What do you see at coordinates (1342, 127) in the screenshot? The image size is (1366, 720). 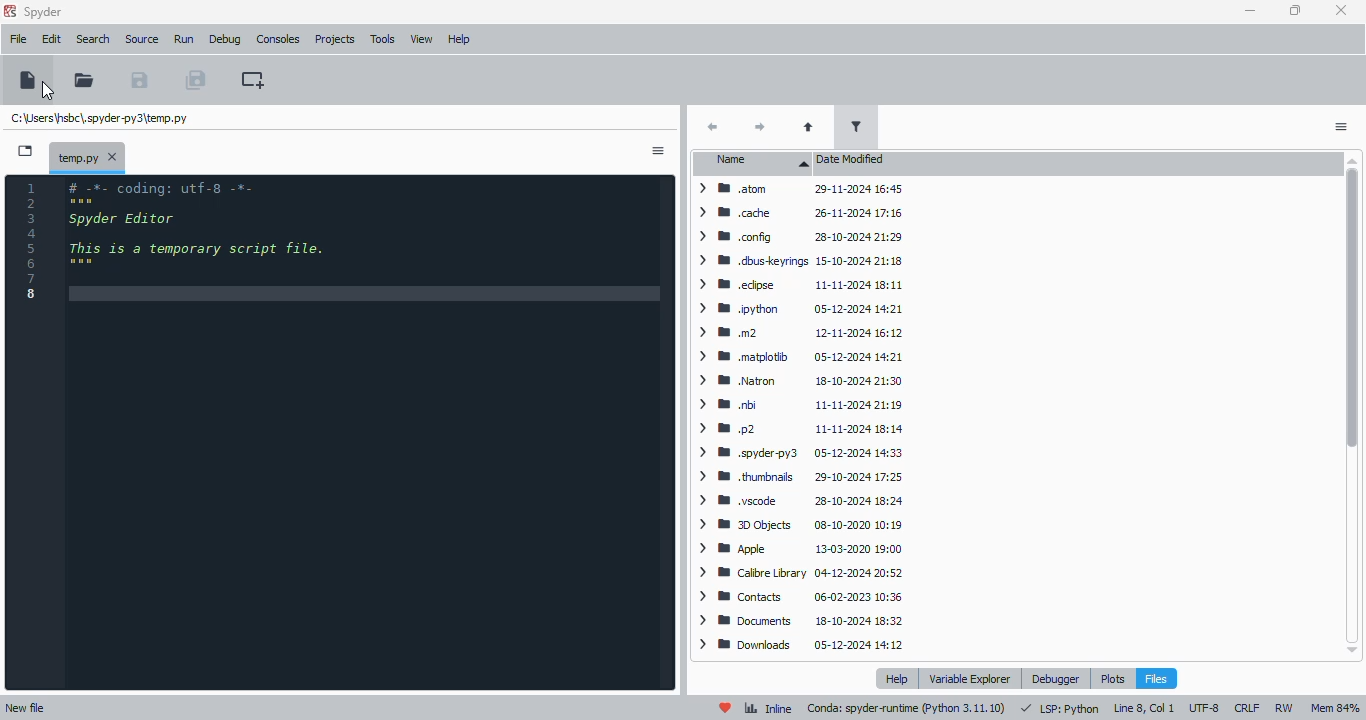 I see `options` at bounding box center [1342, 127].